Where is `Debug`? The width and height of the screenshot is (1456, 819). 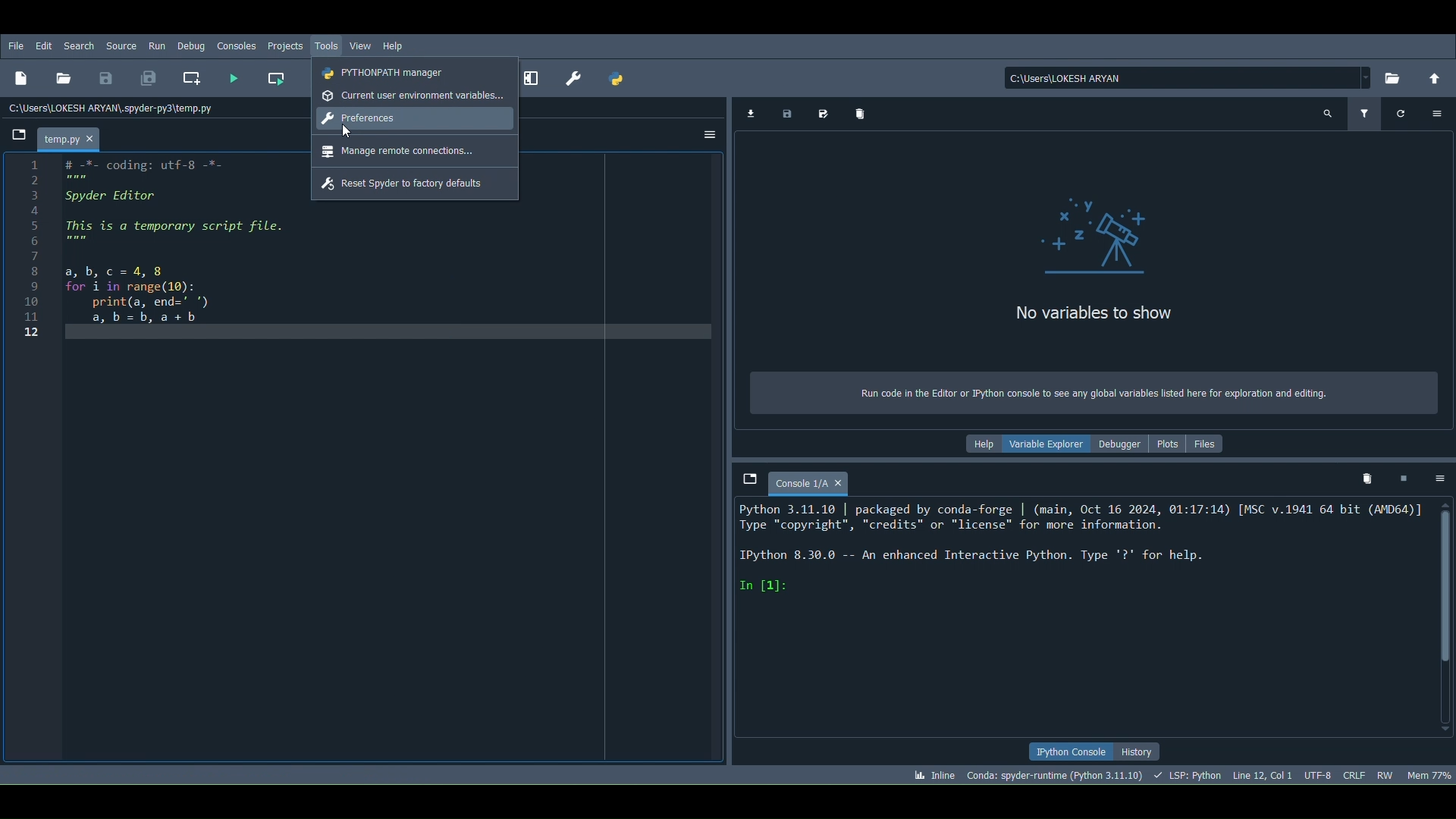
Debug is located at coordinates (192, 47).